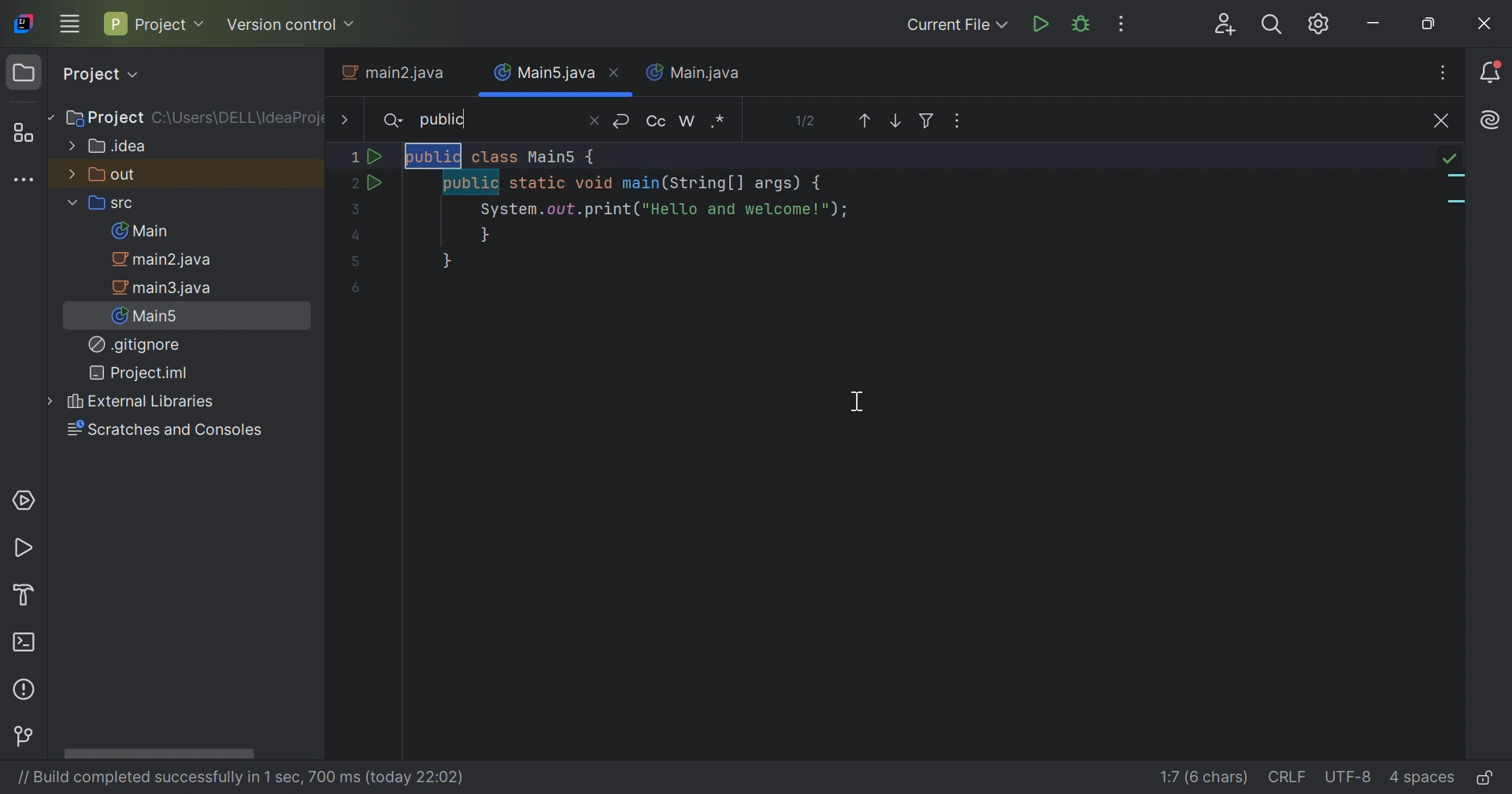  What do you see at coordinates (154, 23) in the screenshot?
I see `Project` at bounding box center [154, 23].